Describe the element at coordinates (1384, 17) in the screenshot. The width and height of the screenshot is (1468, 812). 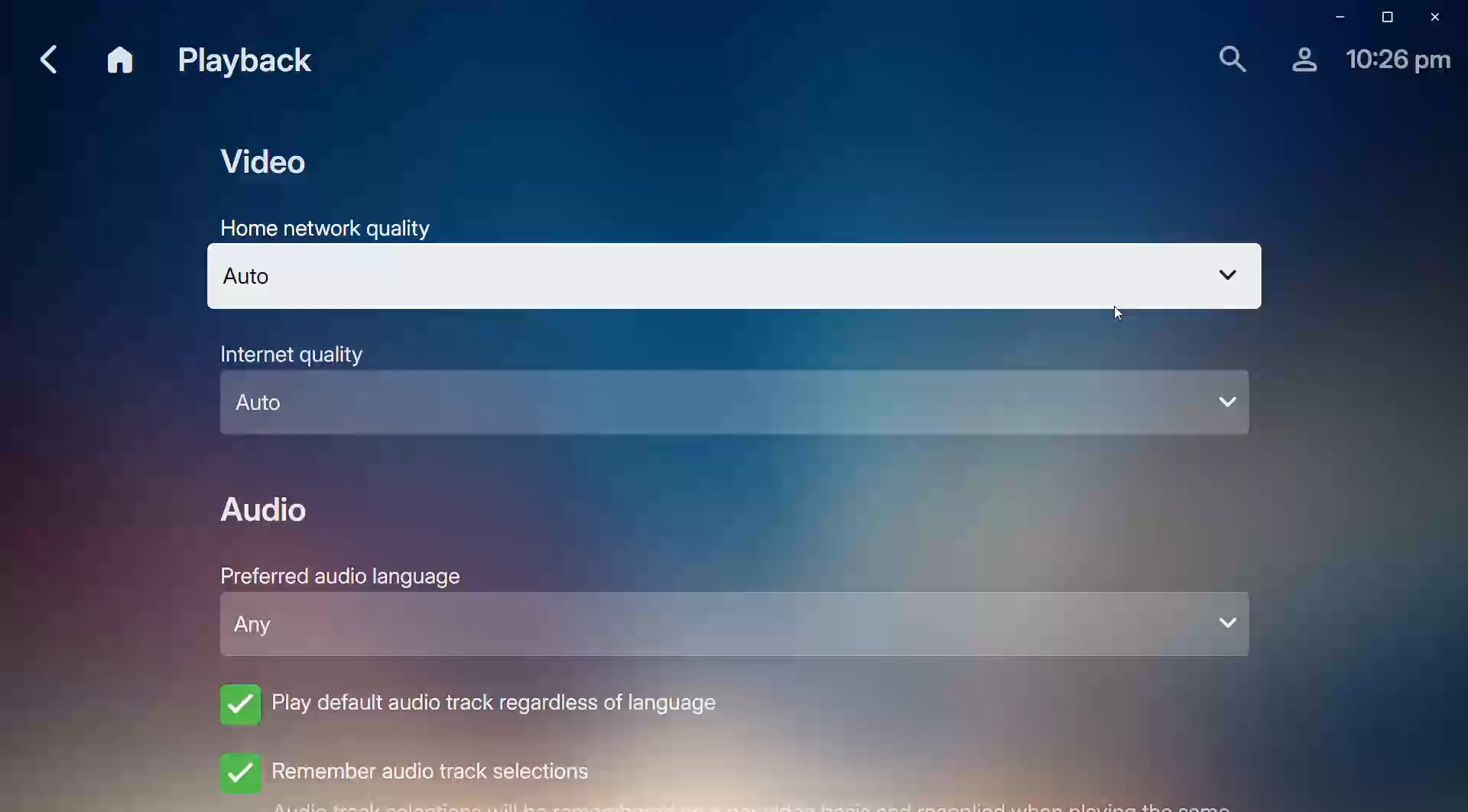
I see `Restore` at that location.